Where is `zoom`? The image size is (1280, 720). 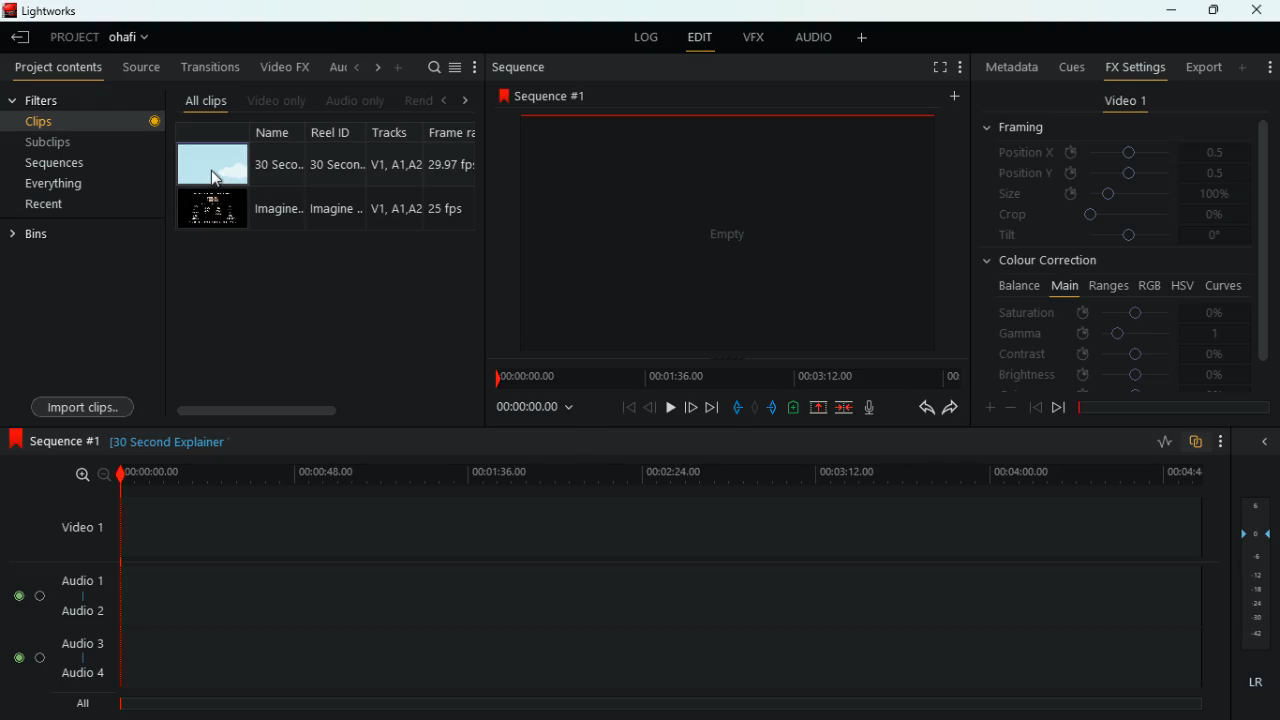
zoom is located at coordinates (91, 475).